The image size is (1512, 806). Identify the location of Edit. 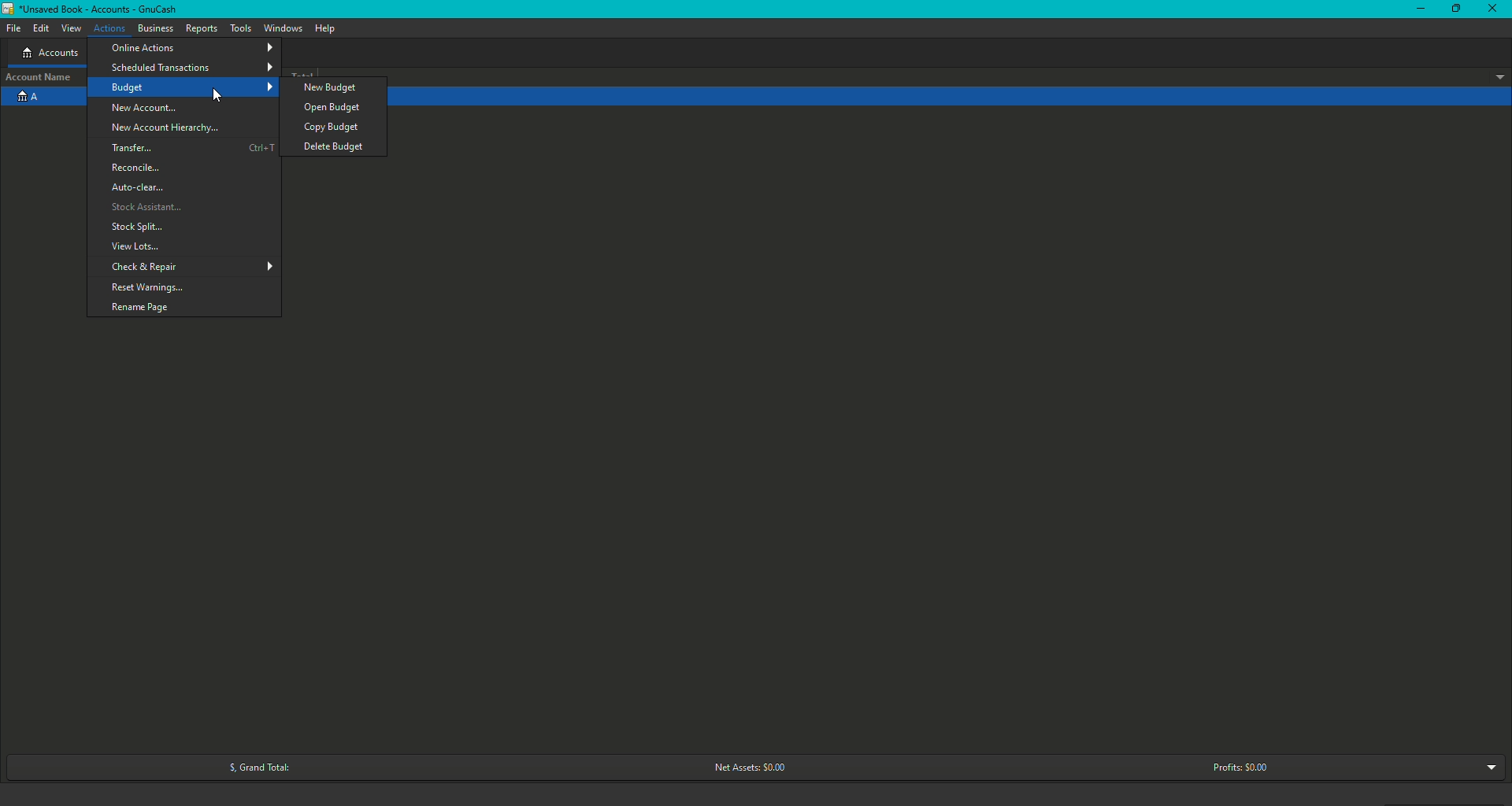
(41, 30).